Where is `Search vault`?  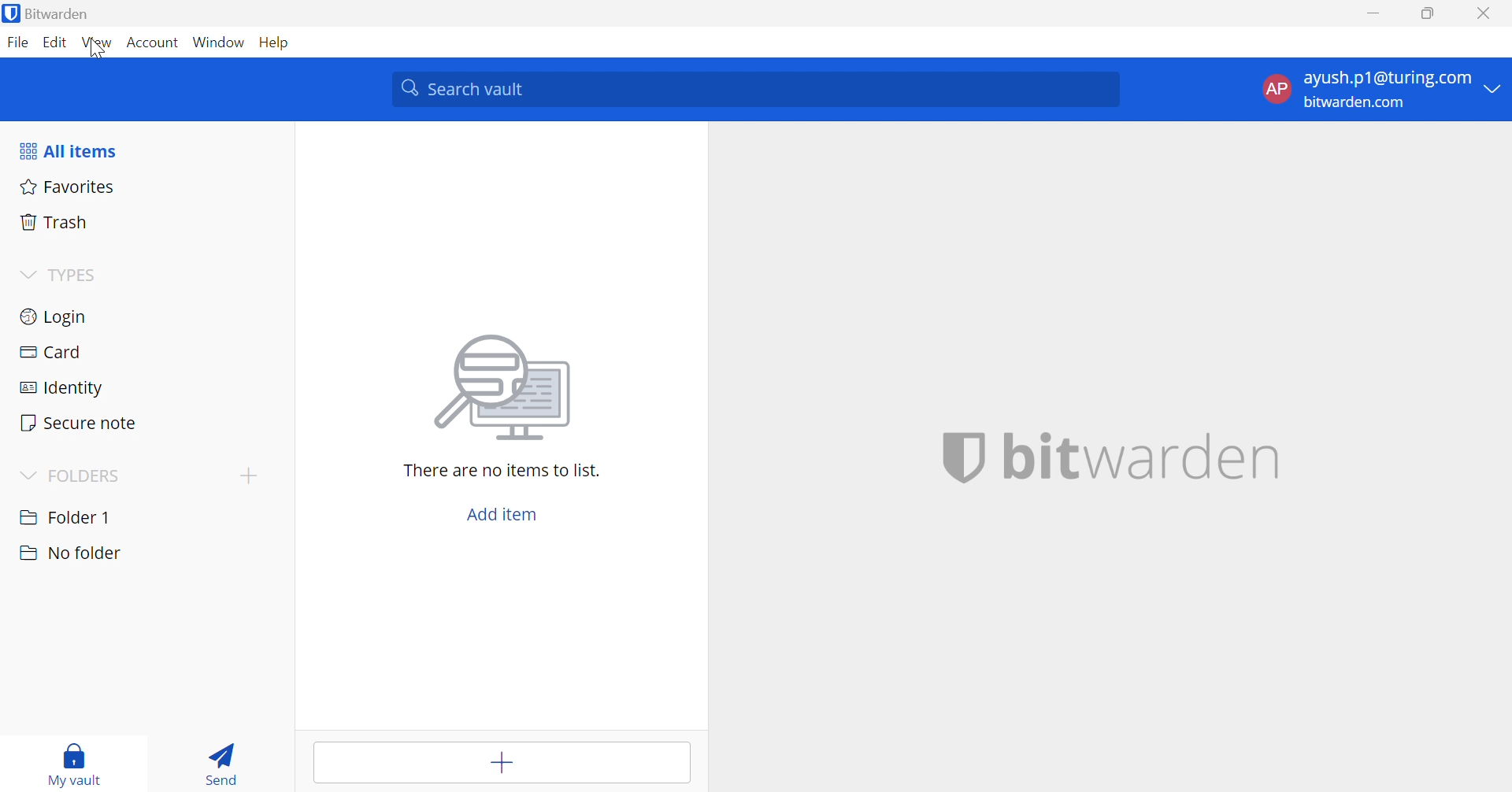
Search vault is located at coordinates (754, 90).